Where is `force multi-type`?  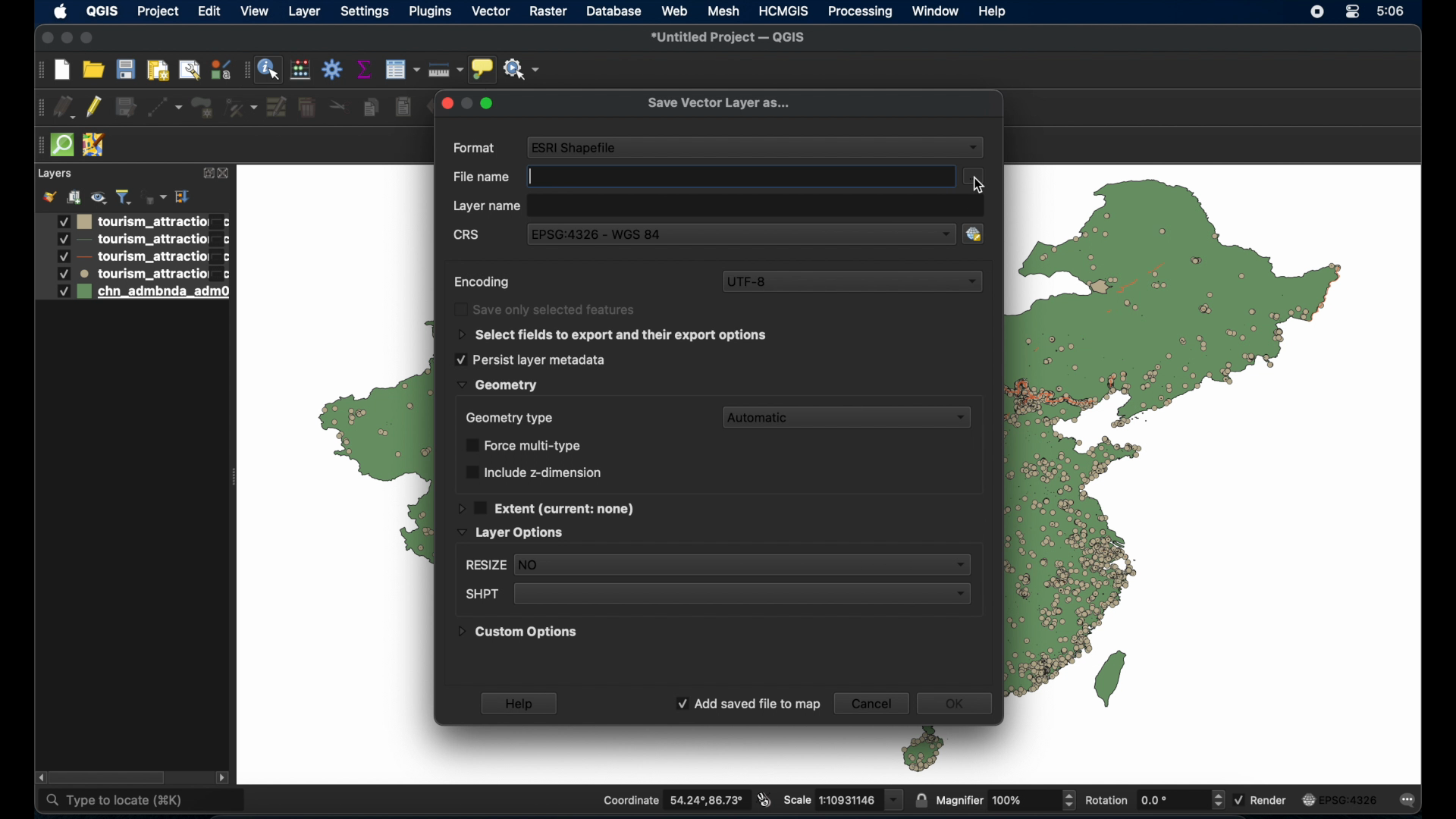 force multi-type is located at coordinates (527, 445).